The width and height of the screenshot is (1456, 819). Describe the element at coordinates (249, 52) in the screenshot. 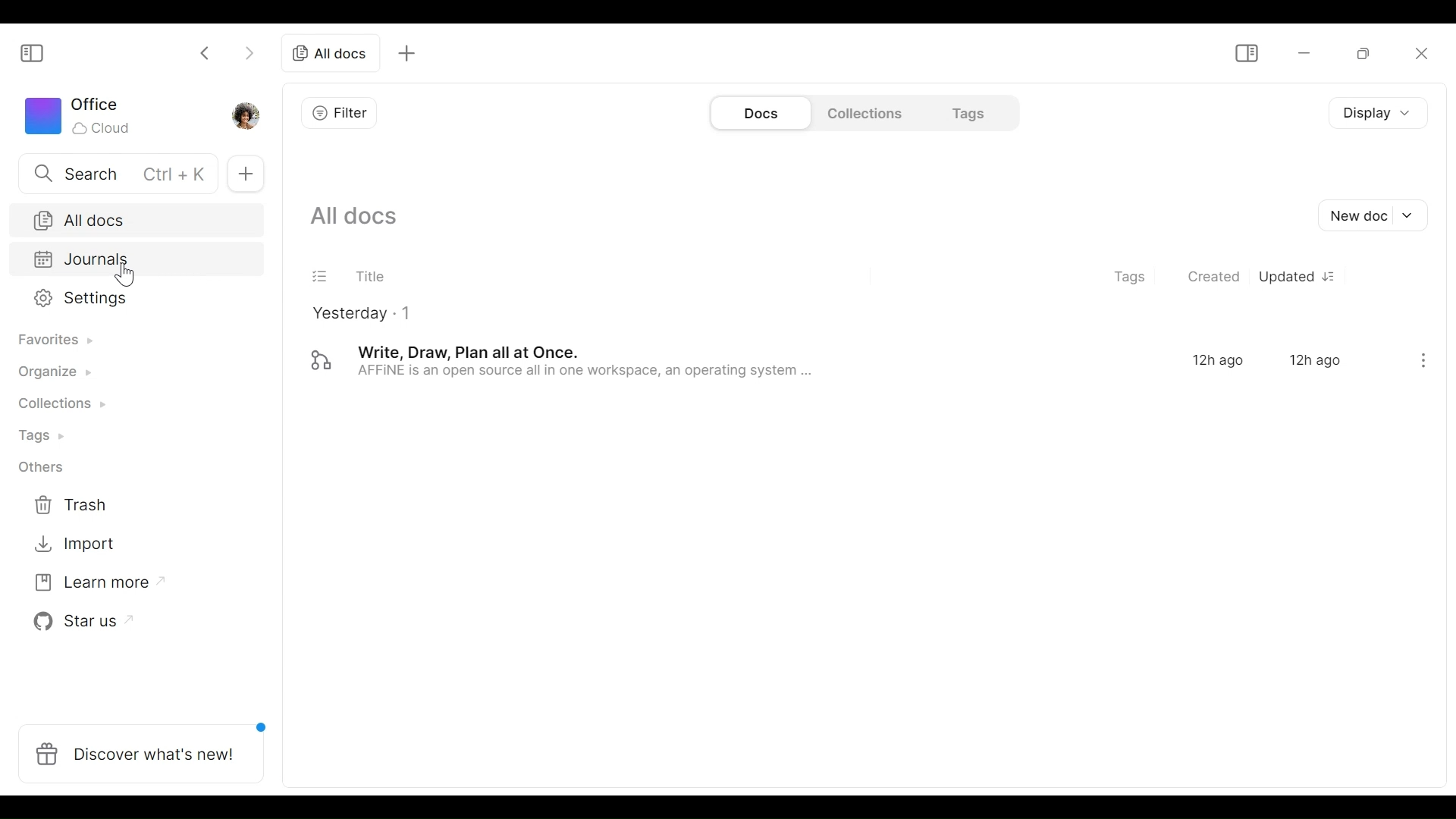

I see `Click to go forward` at that location.